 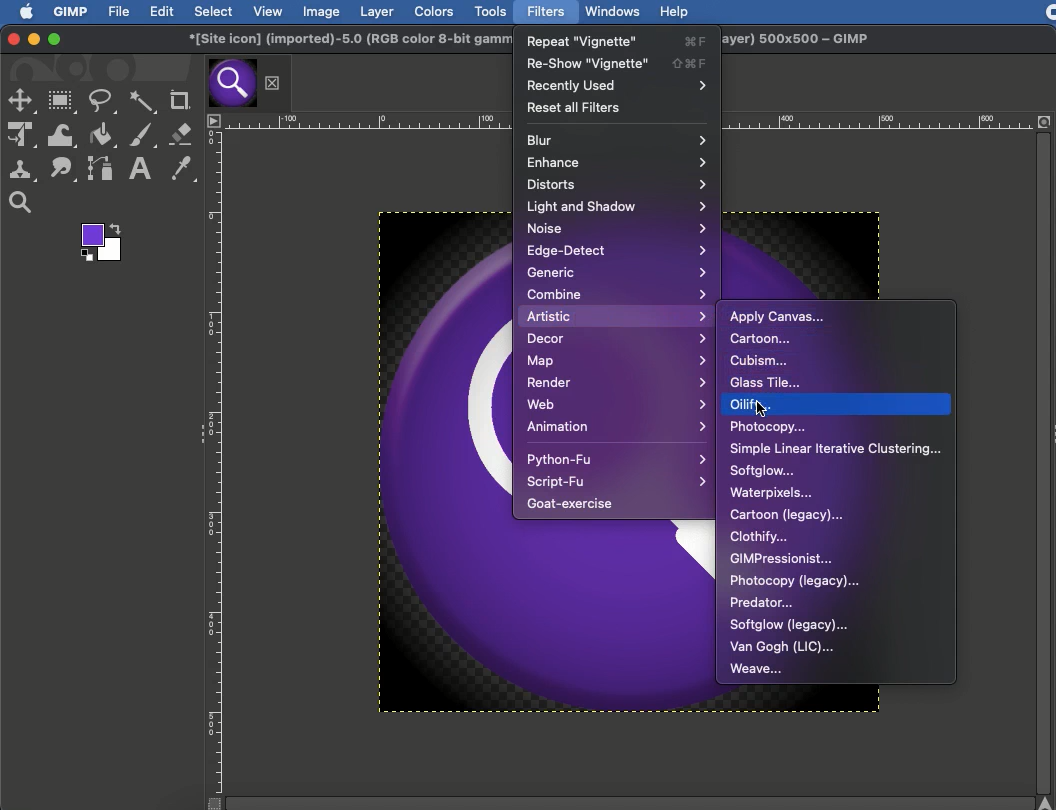 I want to click on Maximize, so click(x=53, y=40).